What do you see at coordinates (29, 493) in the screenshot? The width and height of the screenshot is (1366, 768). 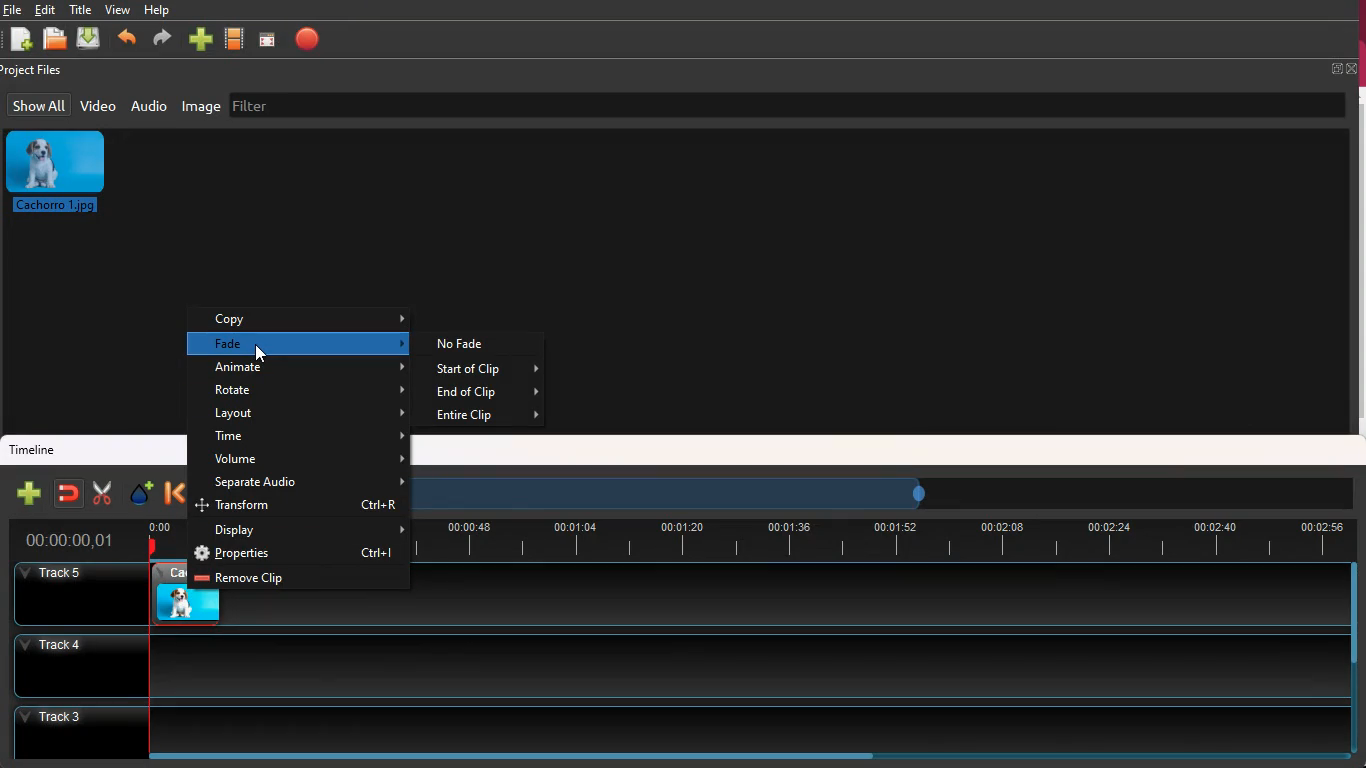 I see `new` at bounding box center [29, 493].